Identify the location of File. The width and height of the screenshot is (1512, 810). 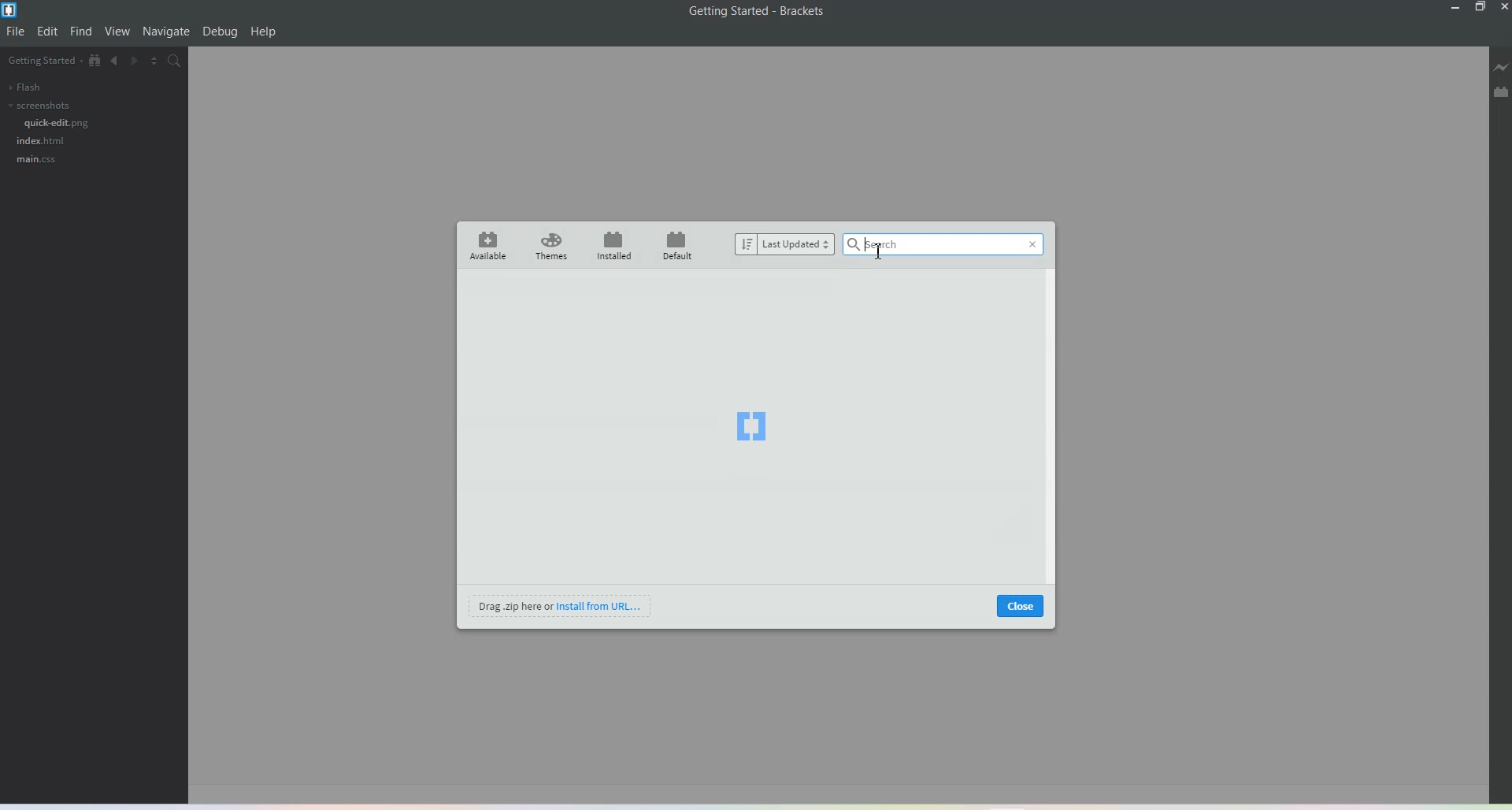
(17, 32).